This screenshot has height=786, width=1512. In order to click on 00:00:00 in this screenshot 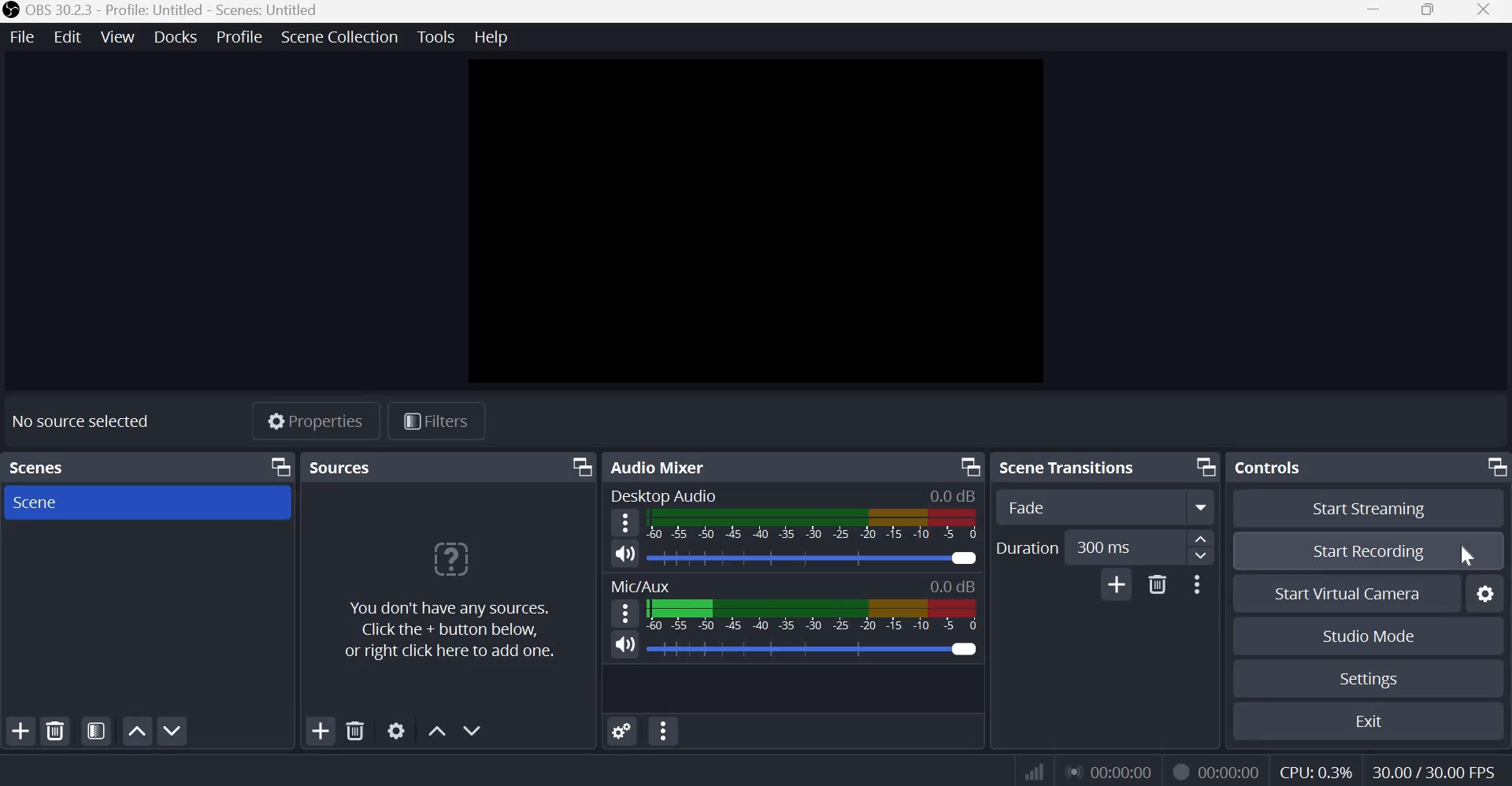, I will do `click(1231, 769)`.